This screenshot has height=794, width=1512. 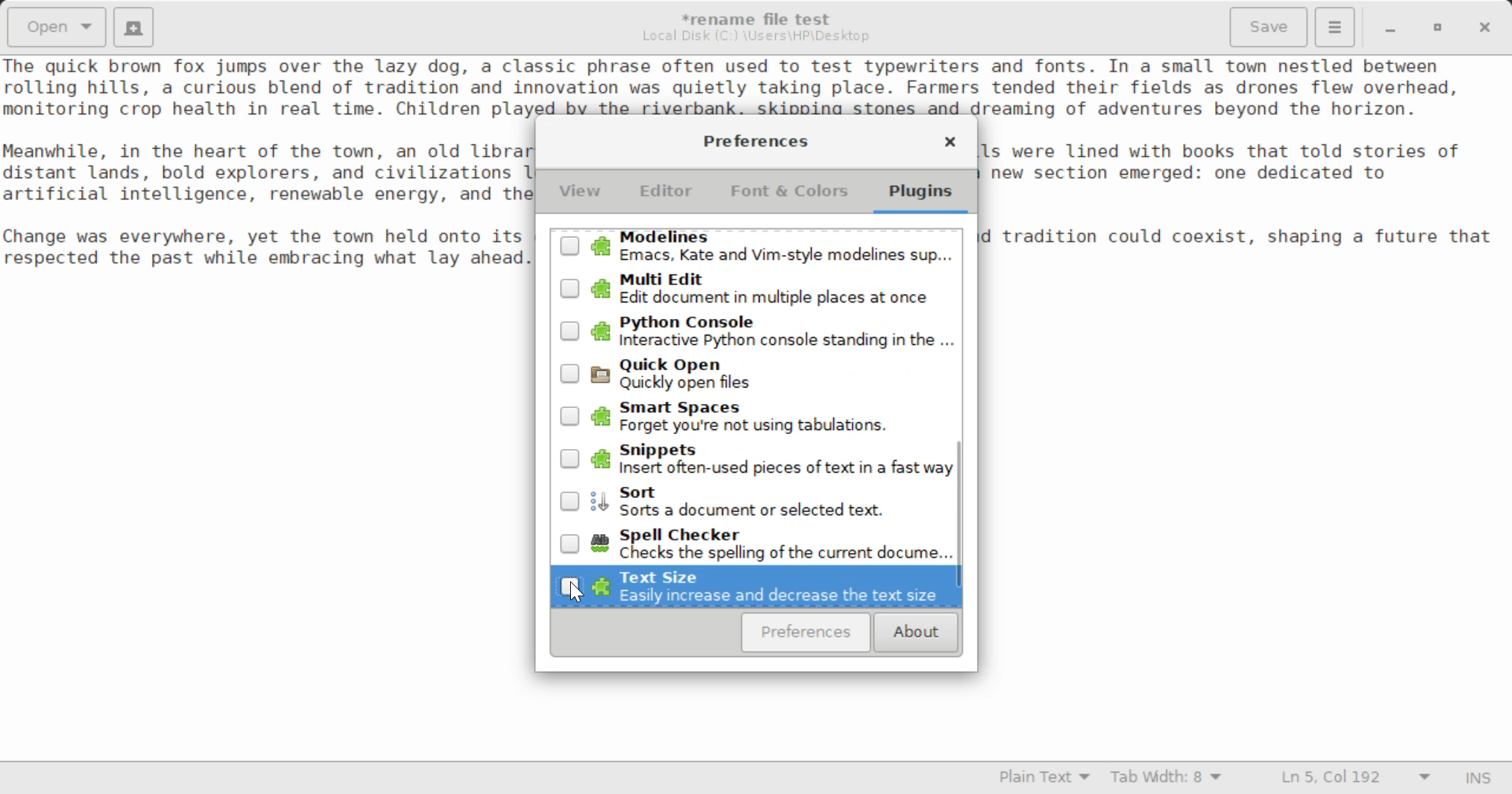 What do you see at coordinates (789, 197) in the screenshot?
I see `Font & Colors Tab` at bounding box center [789, 197].